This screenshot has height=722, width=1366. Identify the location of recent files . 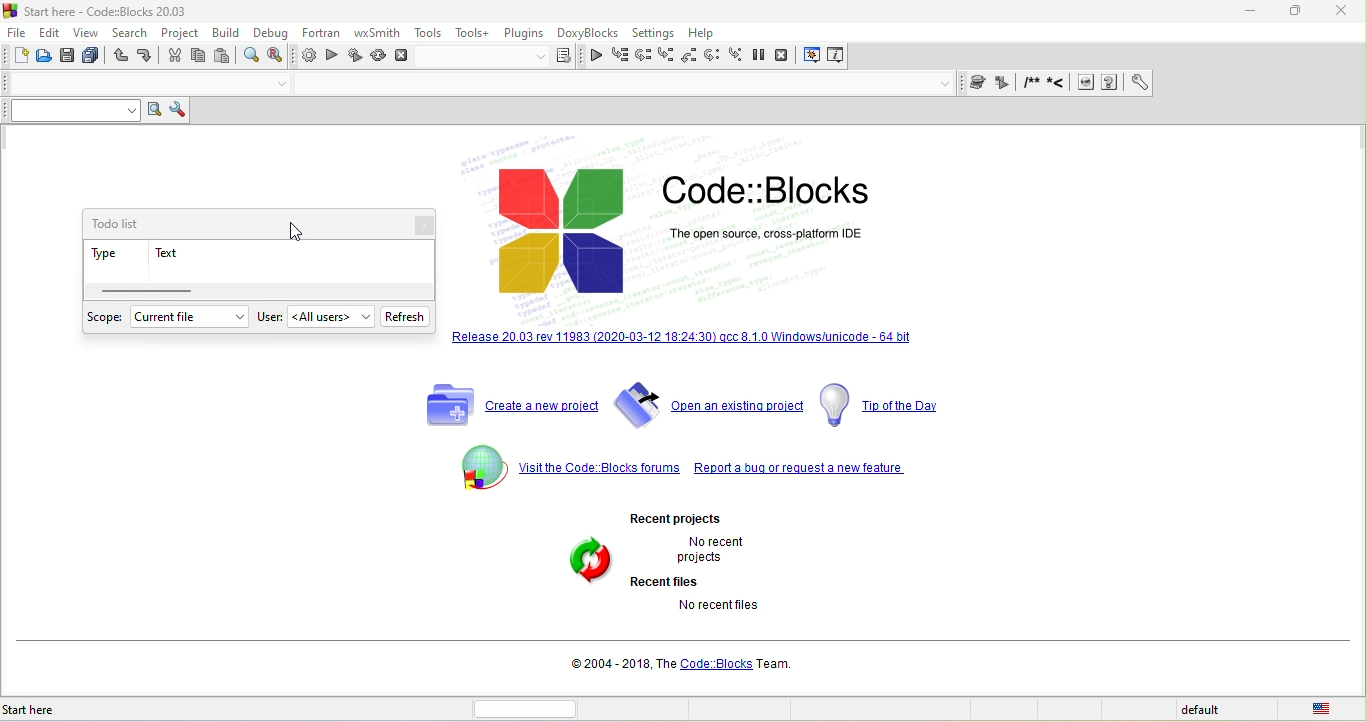
(670, 581).